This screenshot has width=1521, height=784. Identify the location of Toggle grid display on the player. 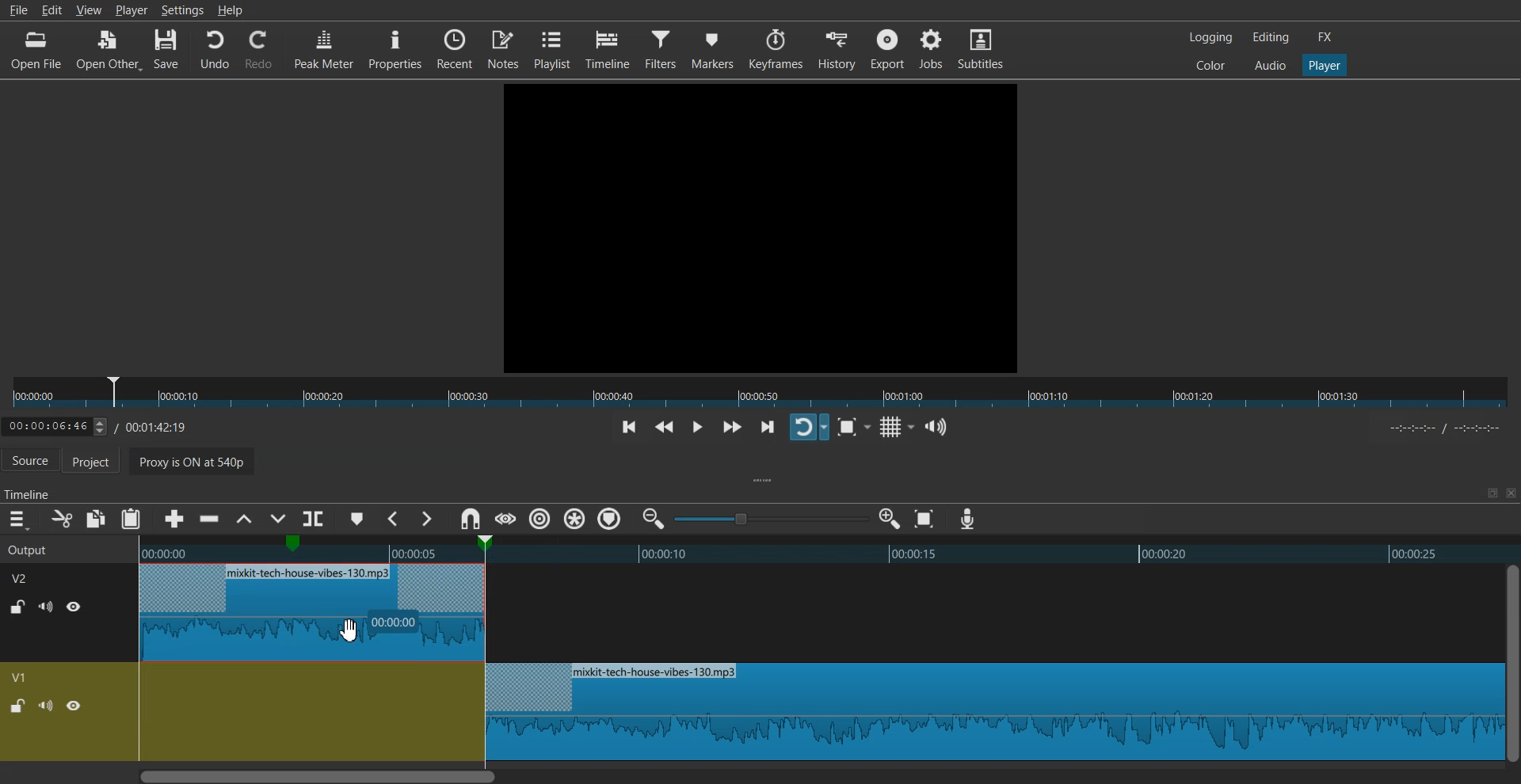
(894, 428).